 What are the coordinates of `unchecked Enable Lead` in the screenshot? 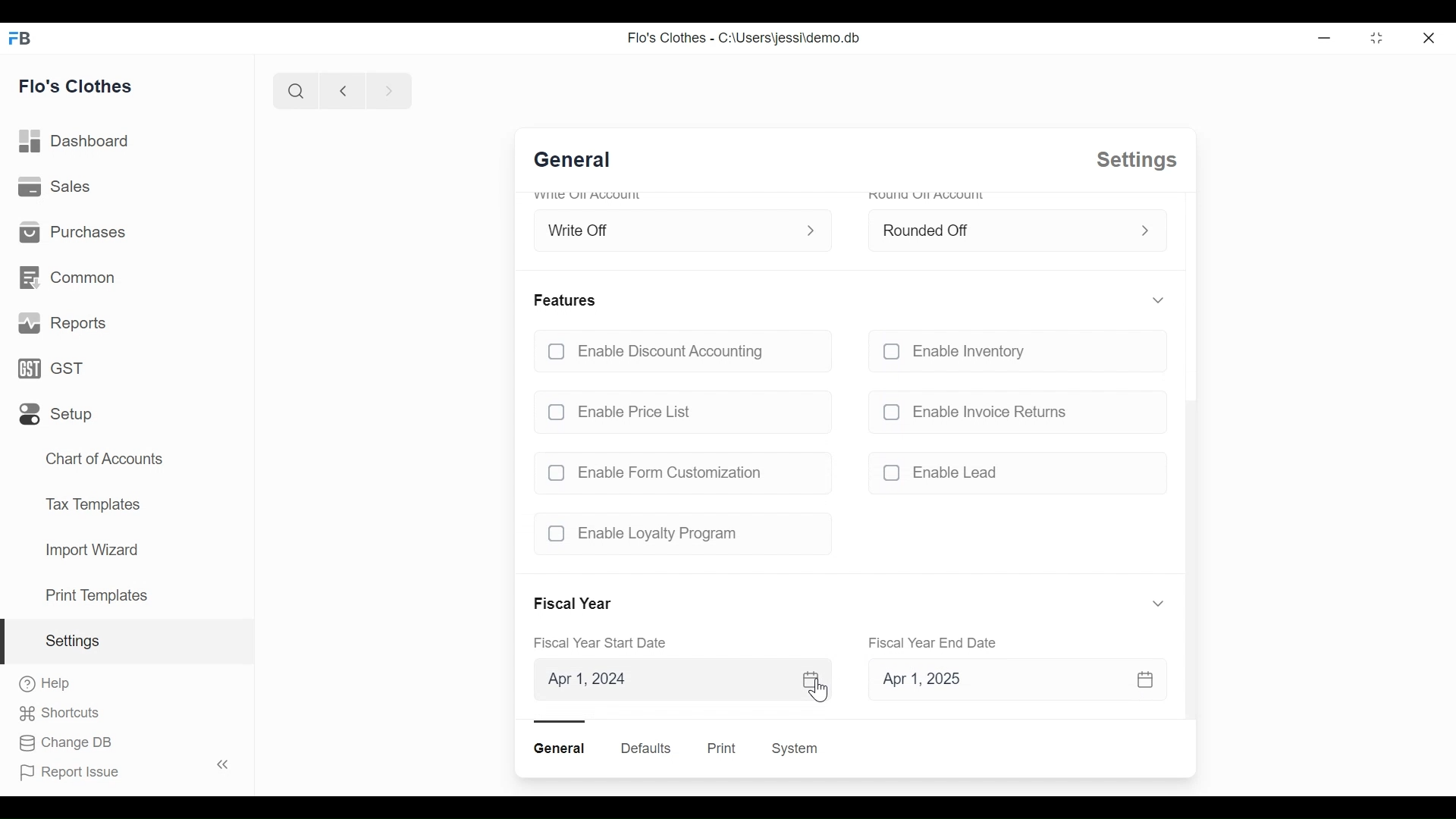 It's located at (1012, 475).